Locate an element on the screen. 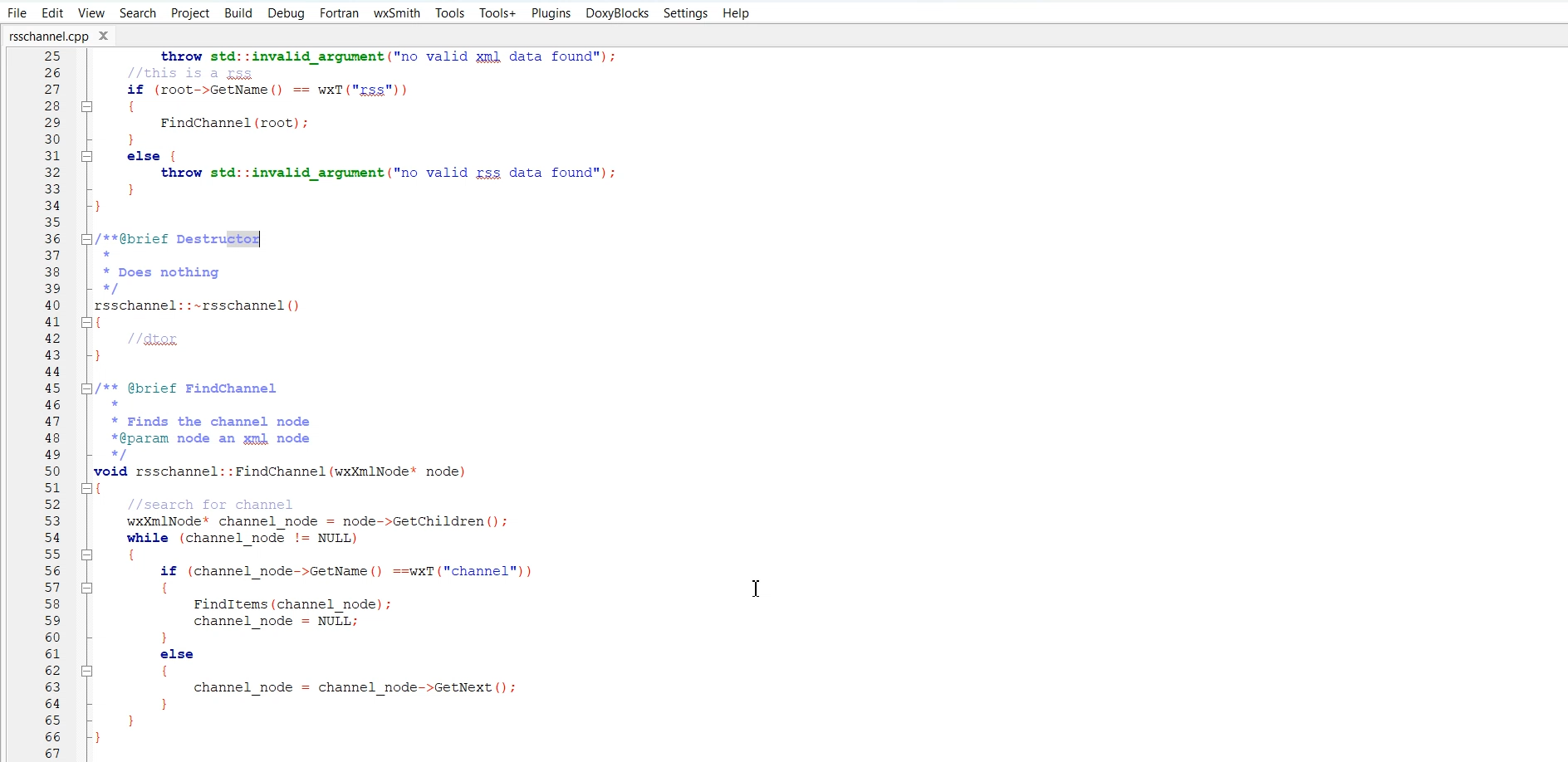  Collapse is located at coordinates (90, 109).